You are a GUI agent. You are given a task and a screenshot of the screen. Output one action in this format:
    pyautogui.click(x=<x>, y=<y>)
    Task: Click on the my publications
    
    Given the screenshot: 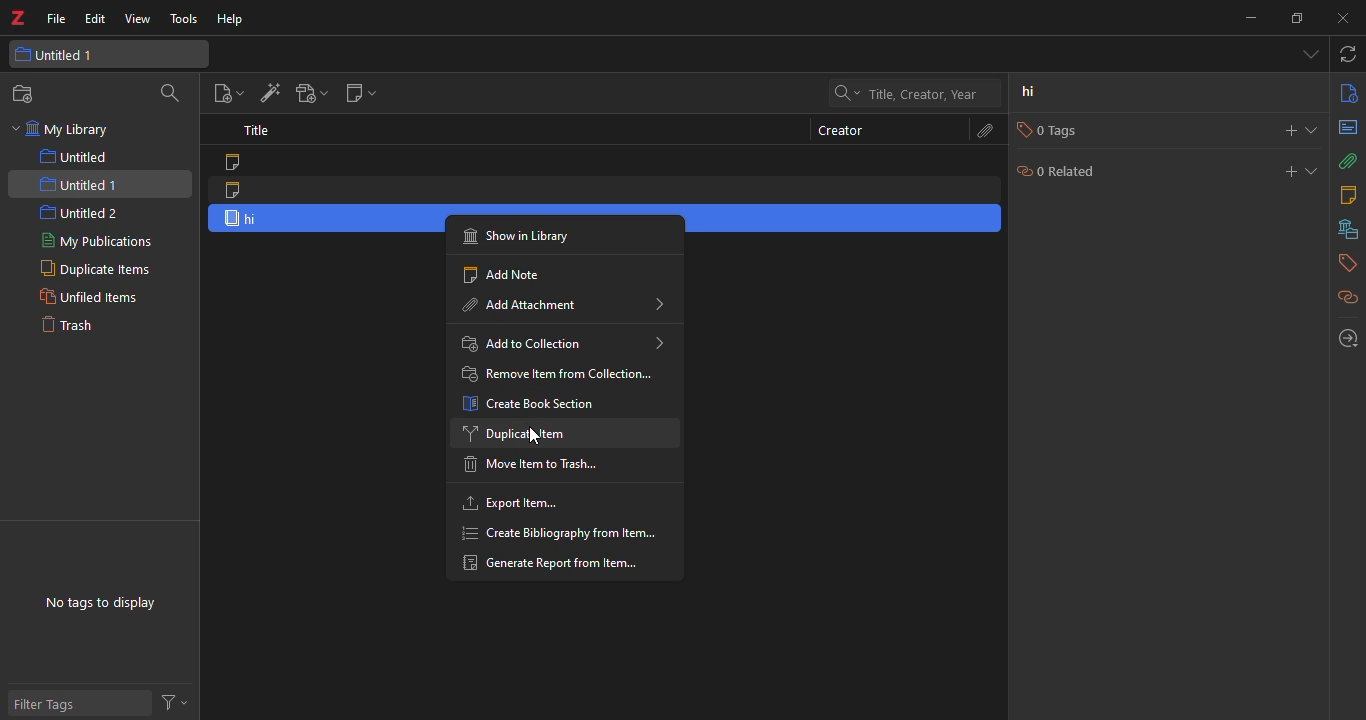 What is the action you would take?
    pyautogui.click(x=92, y=241)
    